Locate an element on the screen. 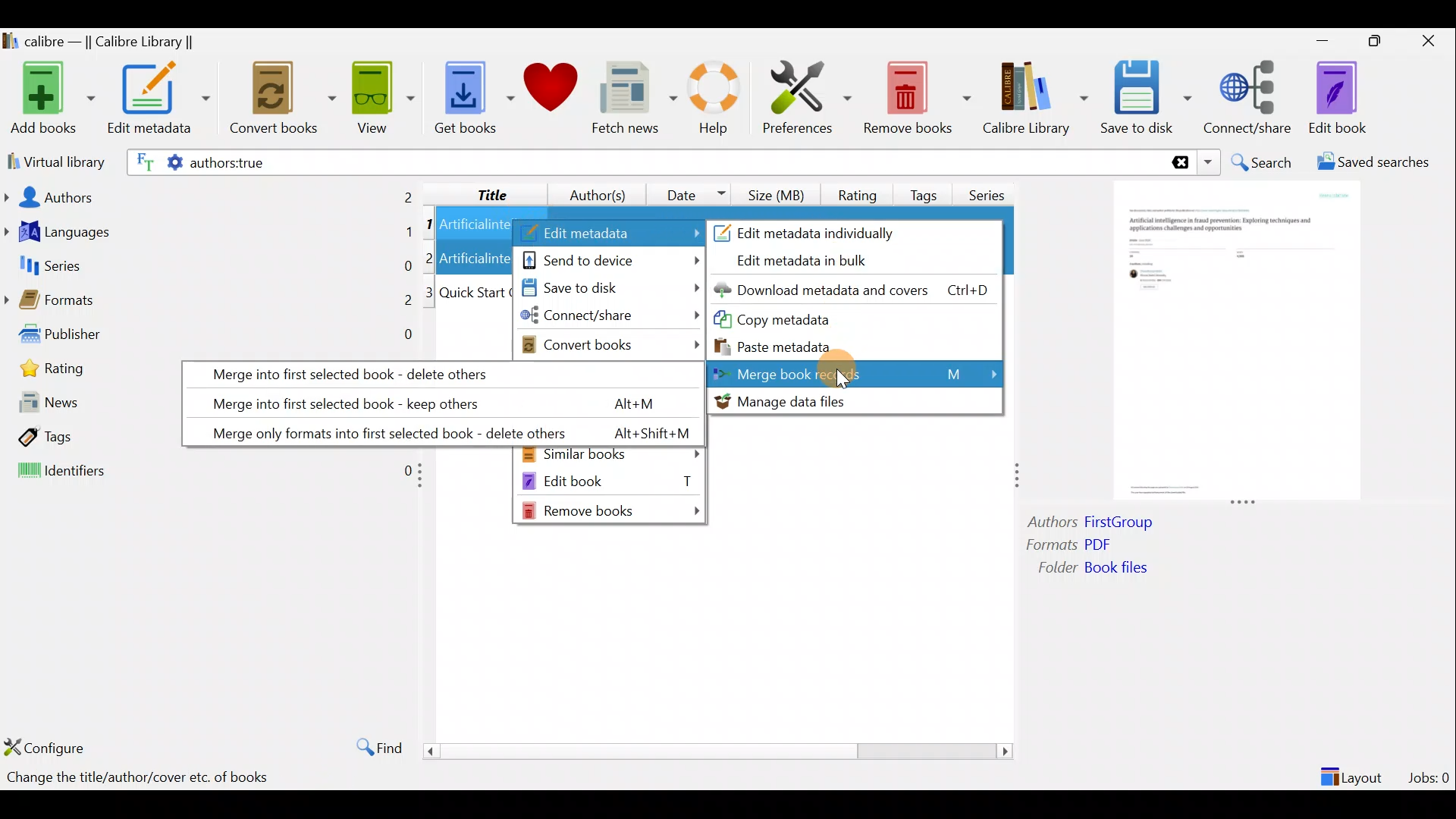 This screenshot has height=819, width=1456. Manage data files is located at coordinates (853, 401).